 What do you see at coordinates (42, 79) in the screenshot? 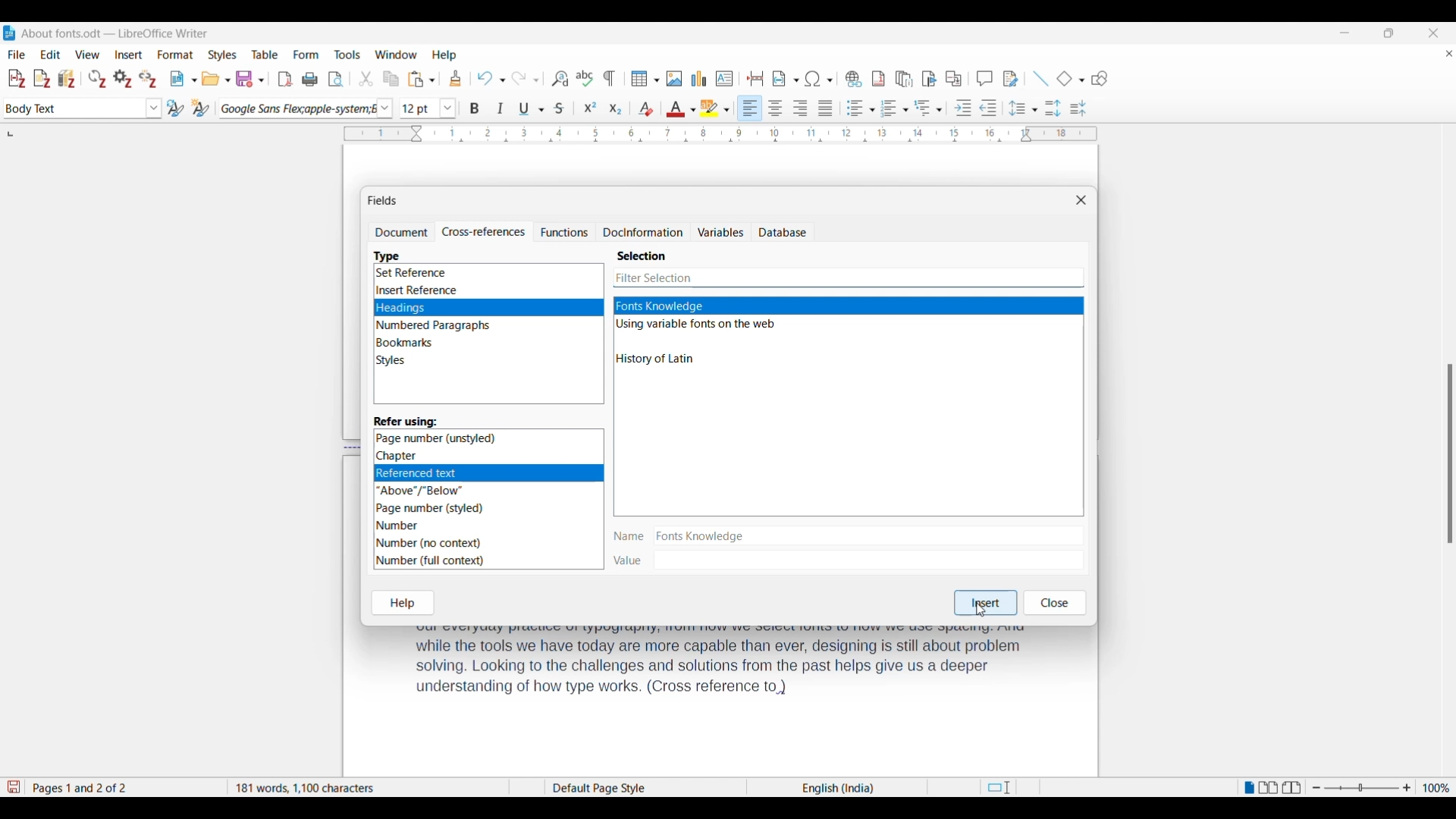
I see `Add note` at bounding box center [42, 79].